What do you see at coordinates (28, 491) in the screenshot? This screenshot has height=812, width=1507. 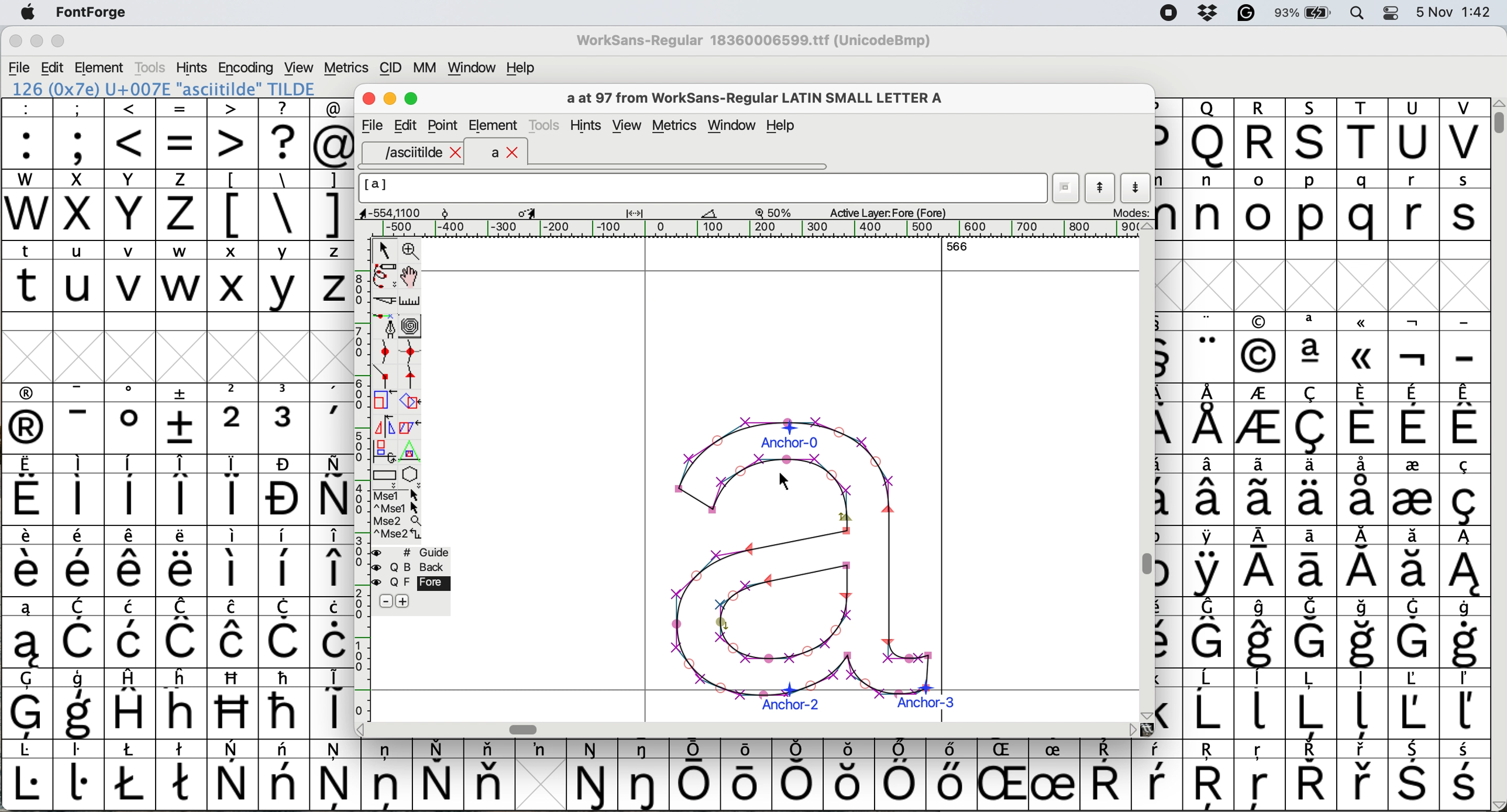 I see `symbol` at bounding box center [28, 491].